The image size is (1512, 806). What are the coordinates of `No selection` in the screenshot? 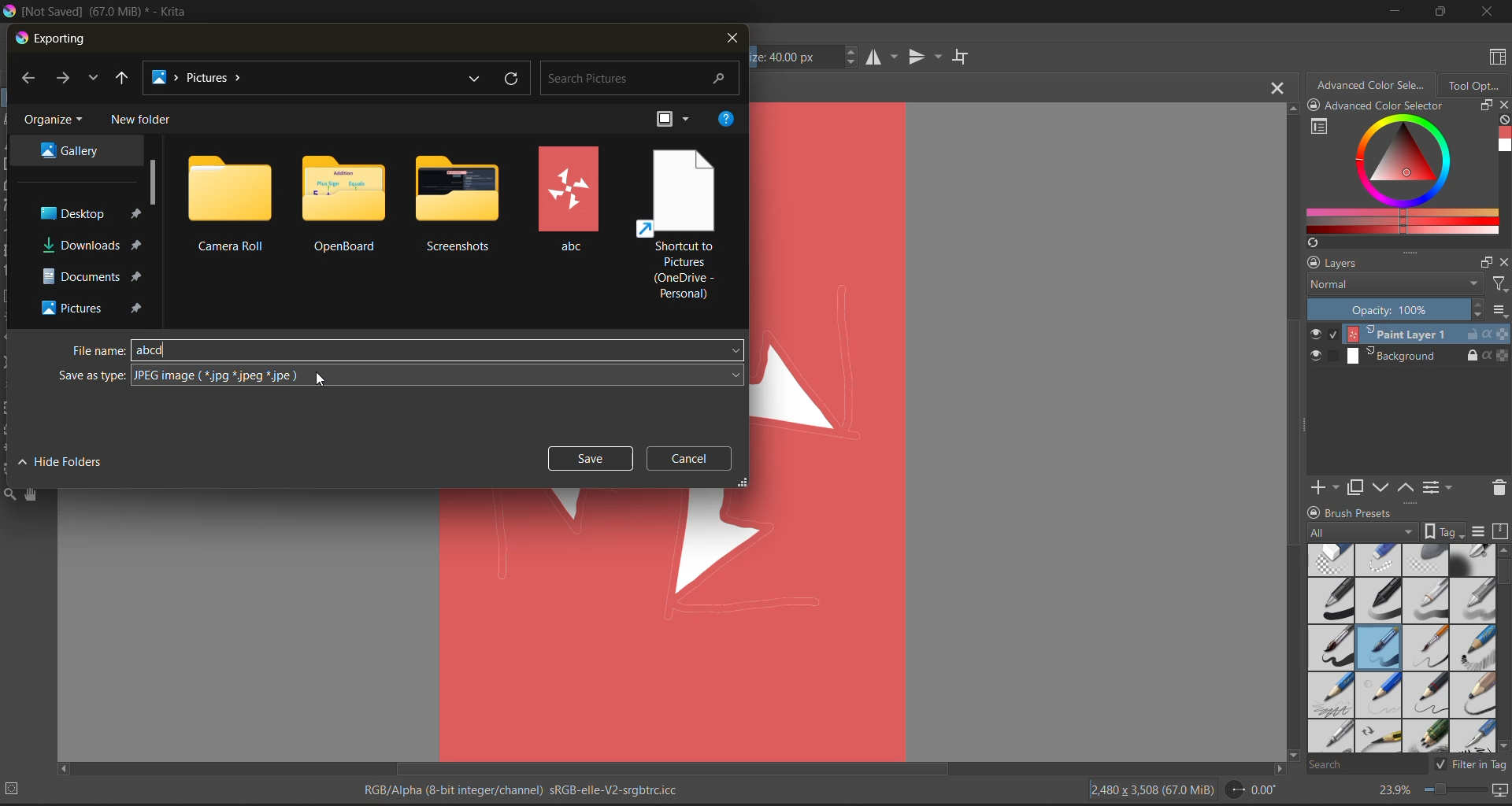 It's located at (17, 789).